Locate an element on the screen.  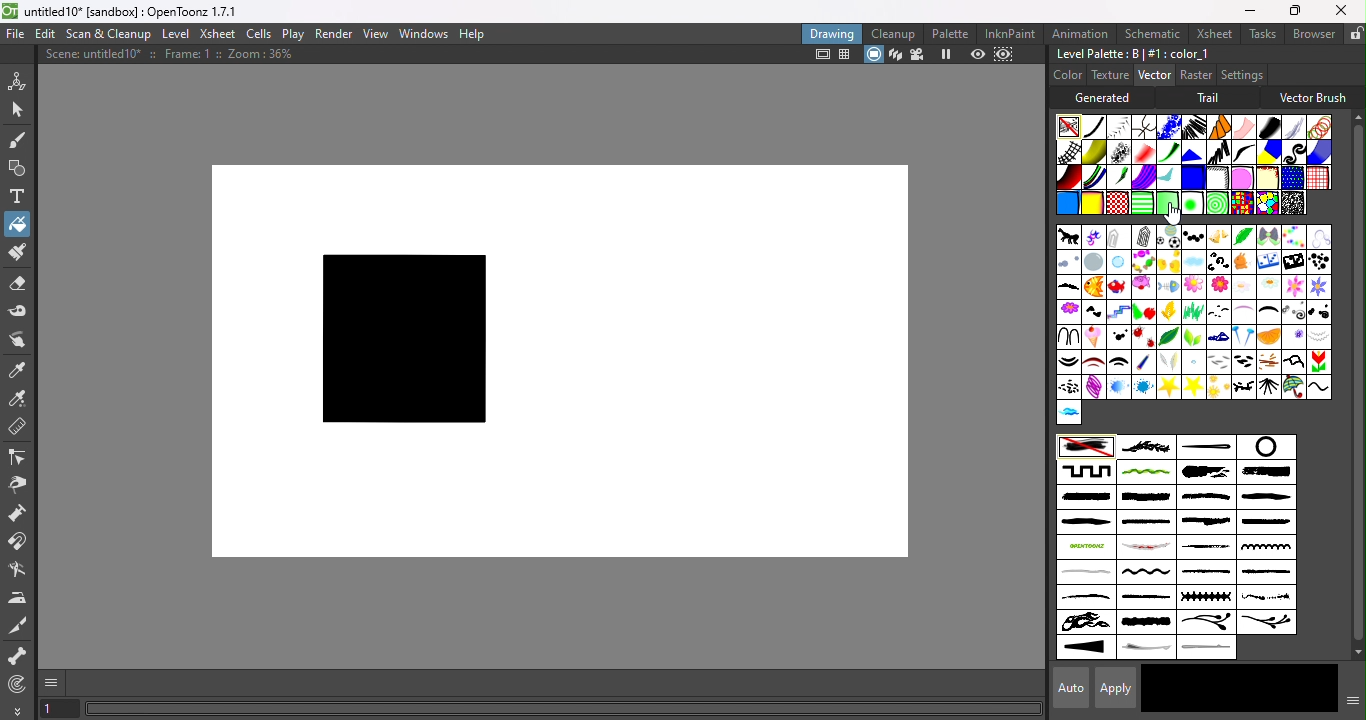
Buttonhole is located at coordinates (1206, 447).